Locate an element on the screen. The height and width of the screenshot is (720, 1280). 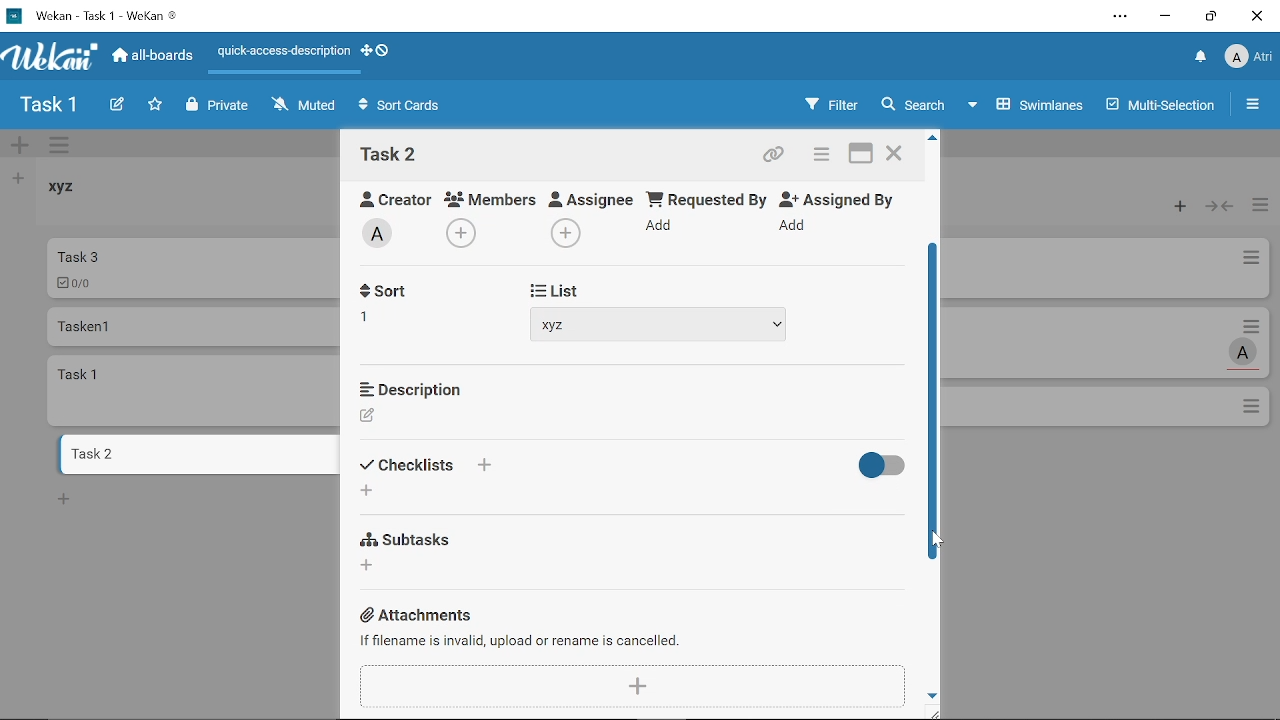
Sort is located at coordinates (409, 465).